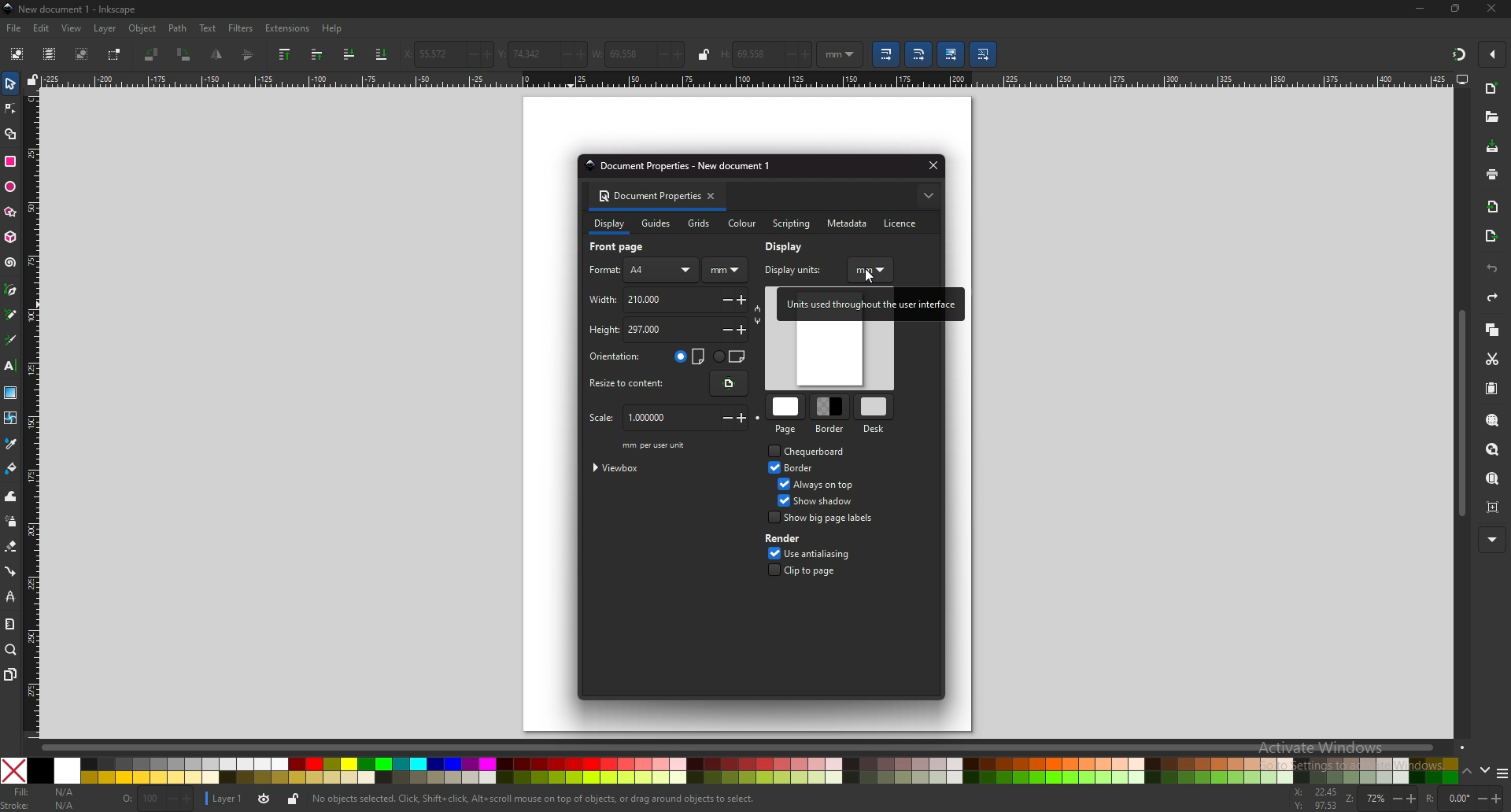 This screenshot has width=1511, height=812. What do you see at coordinates (142, 29) in the screenshot?
I see `object` at bounding box center [142, 29].